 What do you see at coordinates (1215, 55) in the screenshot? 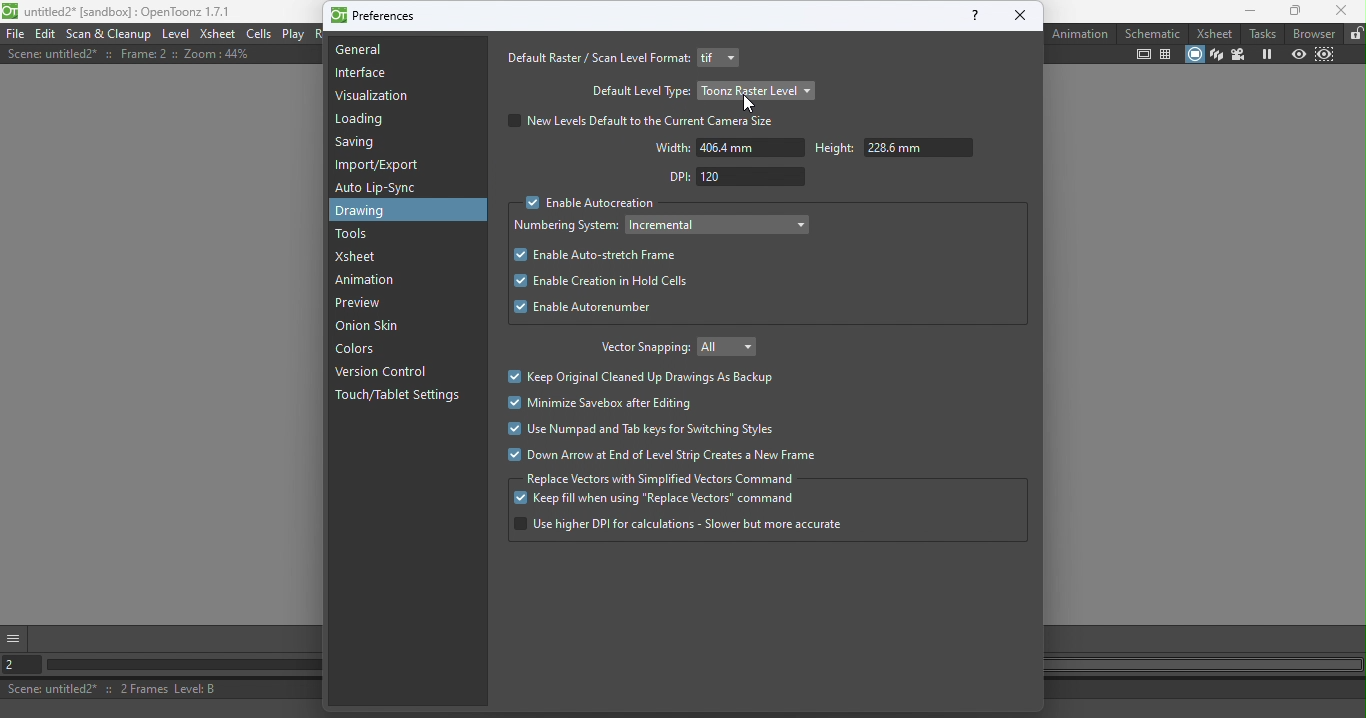
I see `3D View` at bounding box center [1215, 55].